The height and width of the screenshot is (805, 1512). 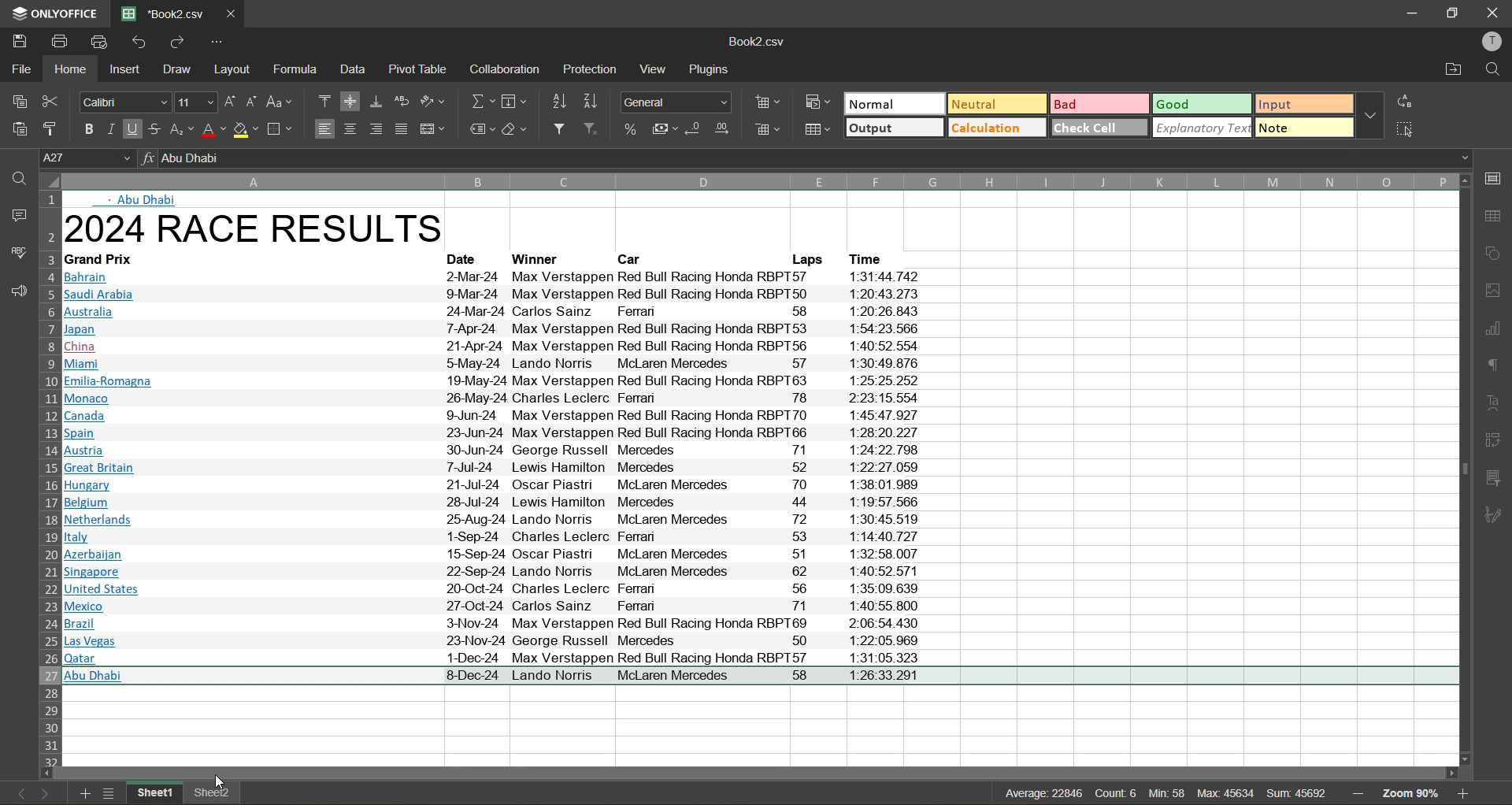 What do you see at coordinates (1495, 254) in the screenshot?
I see `shapes` at bounding box center [1495, 254].